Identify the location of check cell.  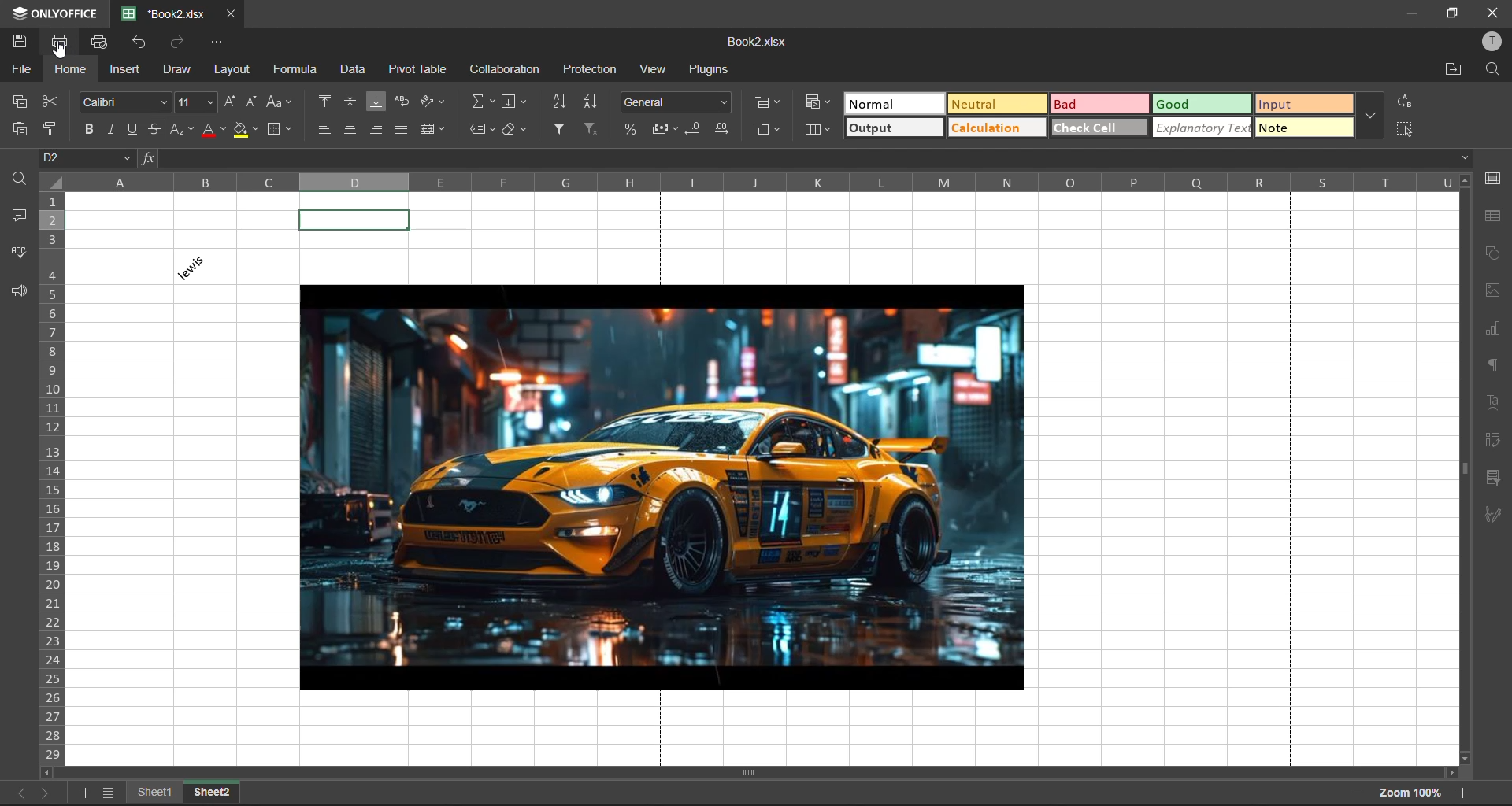
(1099, 127).